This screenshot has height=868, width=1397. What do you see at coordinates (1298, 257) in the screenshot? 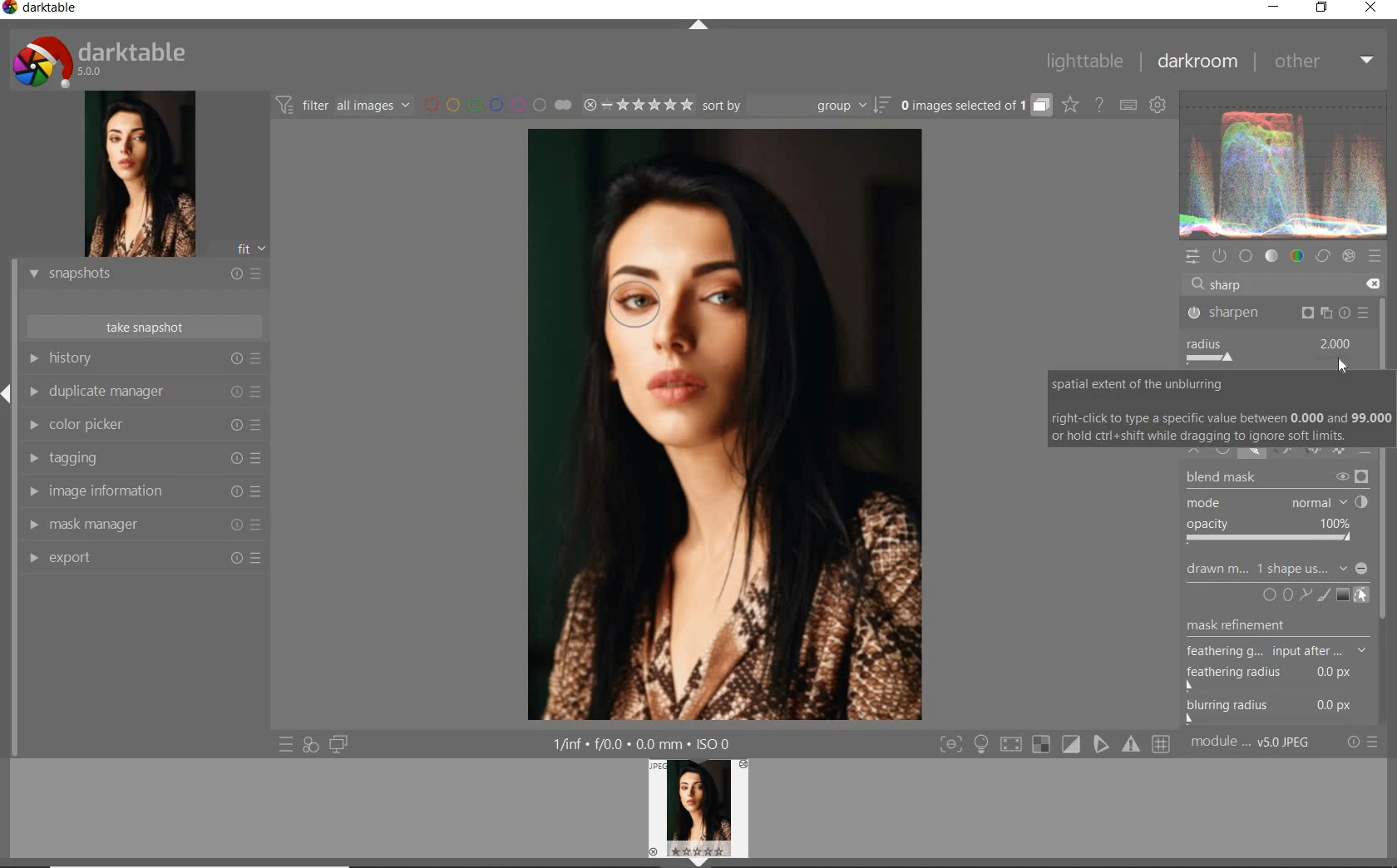
I see `color` at bounding box center [1298, 257].